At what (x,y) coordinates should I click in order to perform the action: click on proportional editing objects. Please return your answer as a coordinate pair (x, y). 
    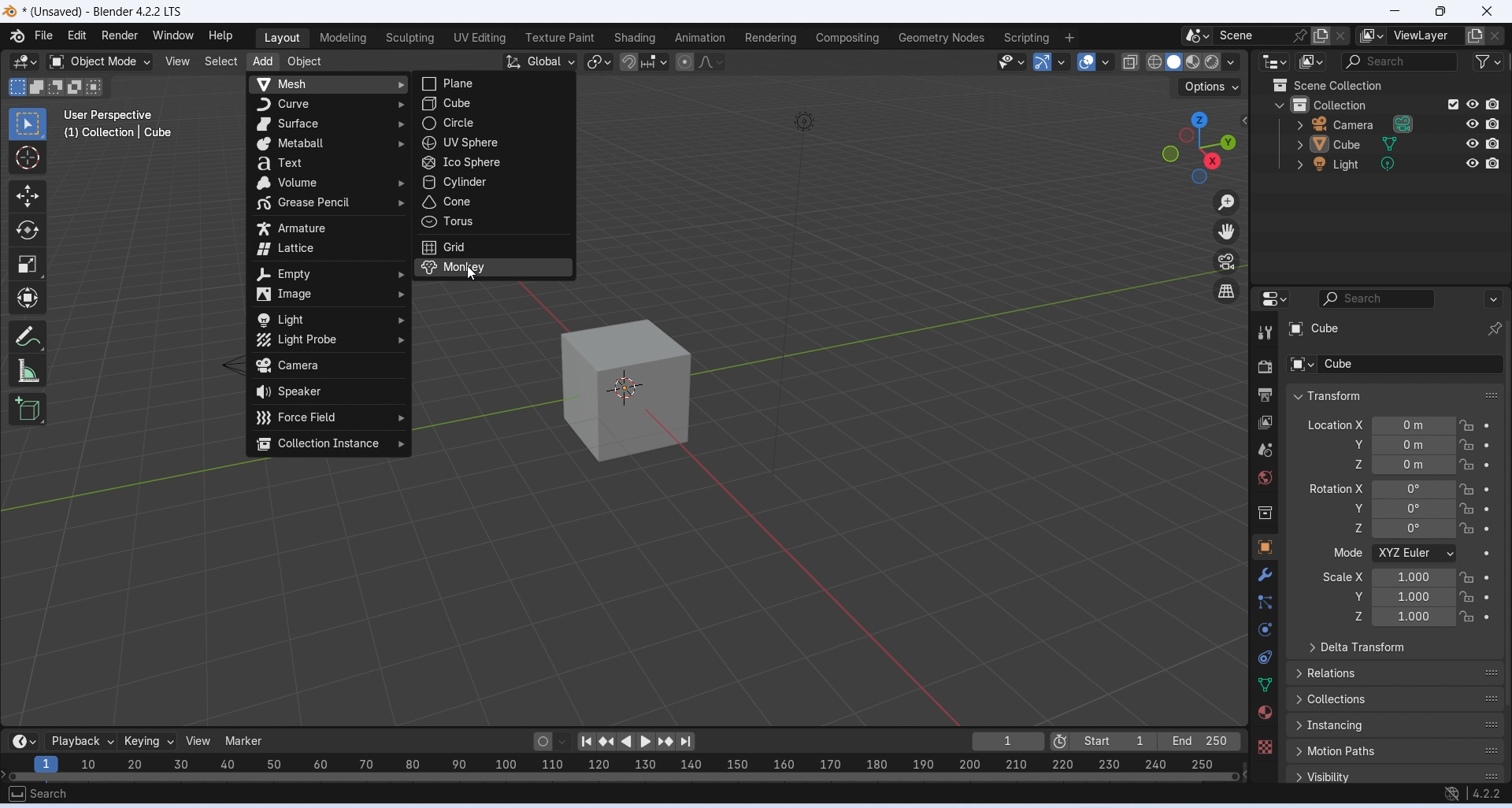
    Looking at the image, I should click on (686, 62).